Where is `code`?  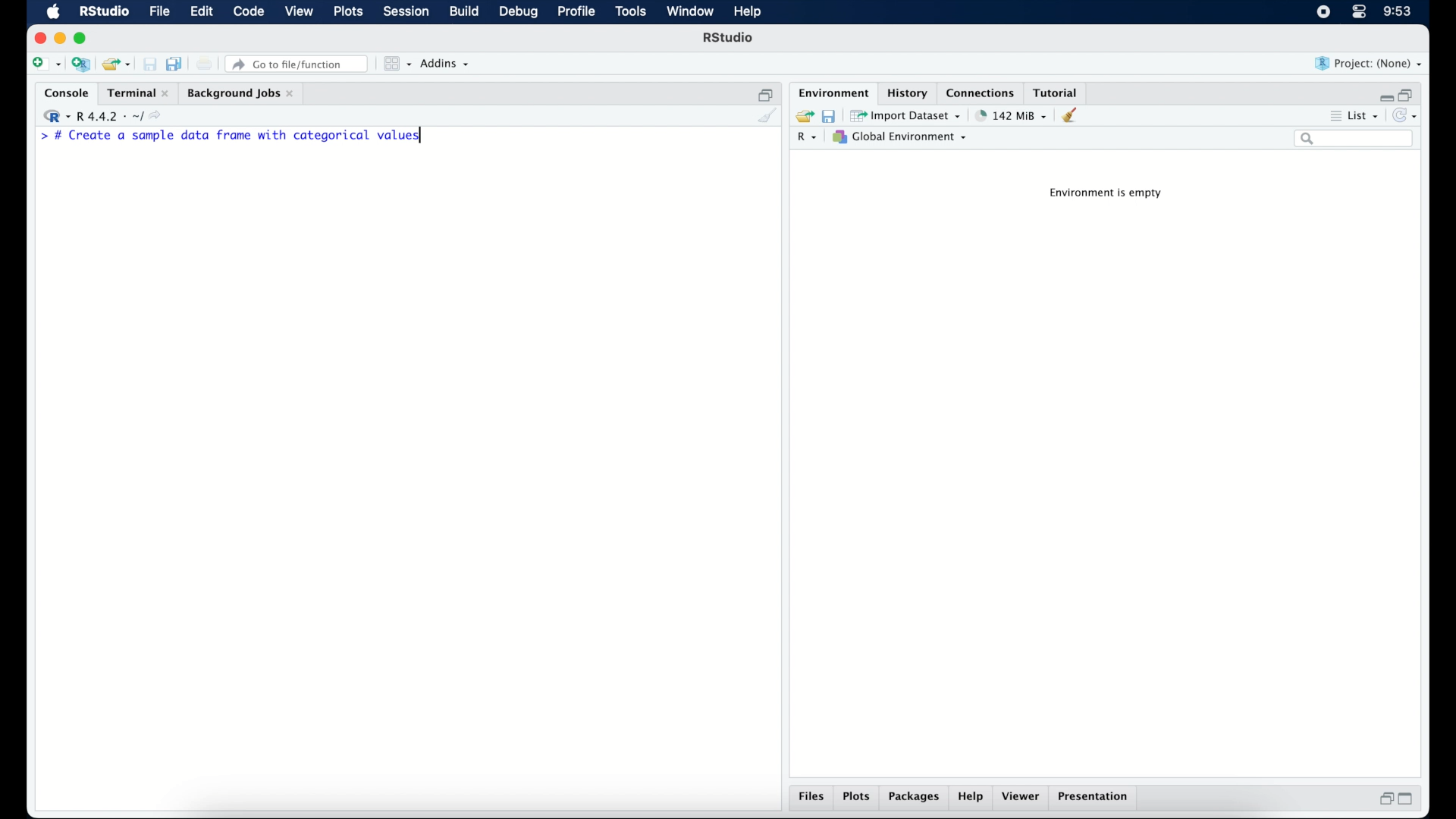
code is located at coordinates (249, 12).